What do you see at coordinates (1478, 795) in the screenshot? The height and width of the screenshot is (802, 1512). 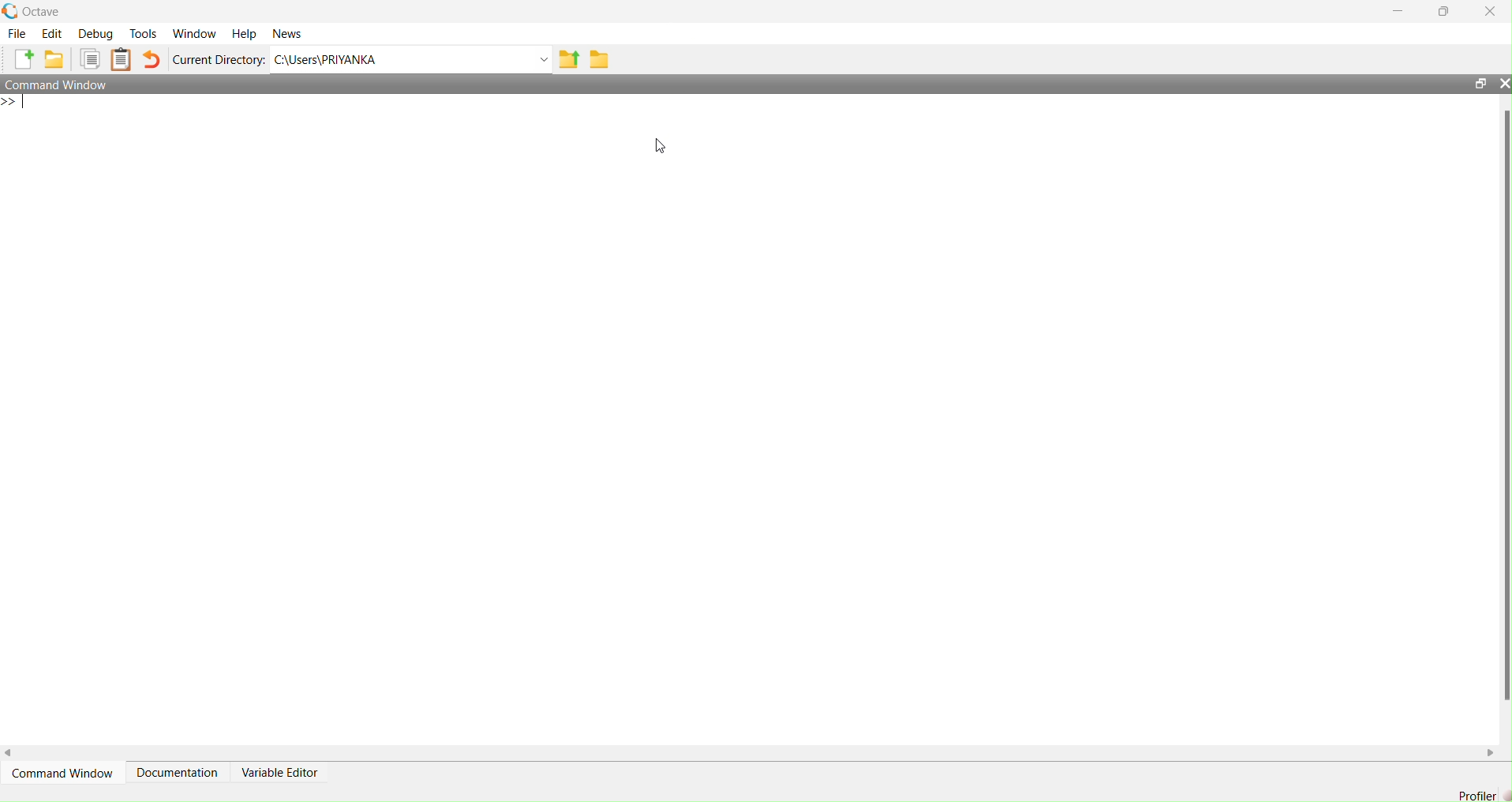 I see `profiler` at bounding box center [1478, 795].